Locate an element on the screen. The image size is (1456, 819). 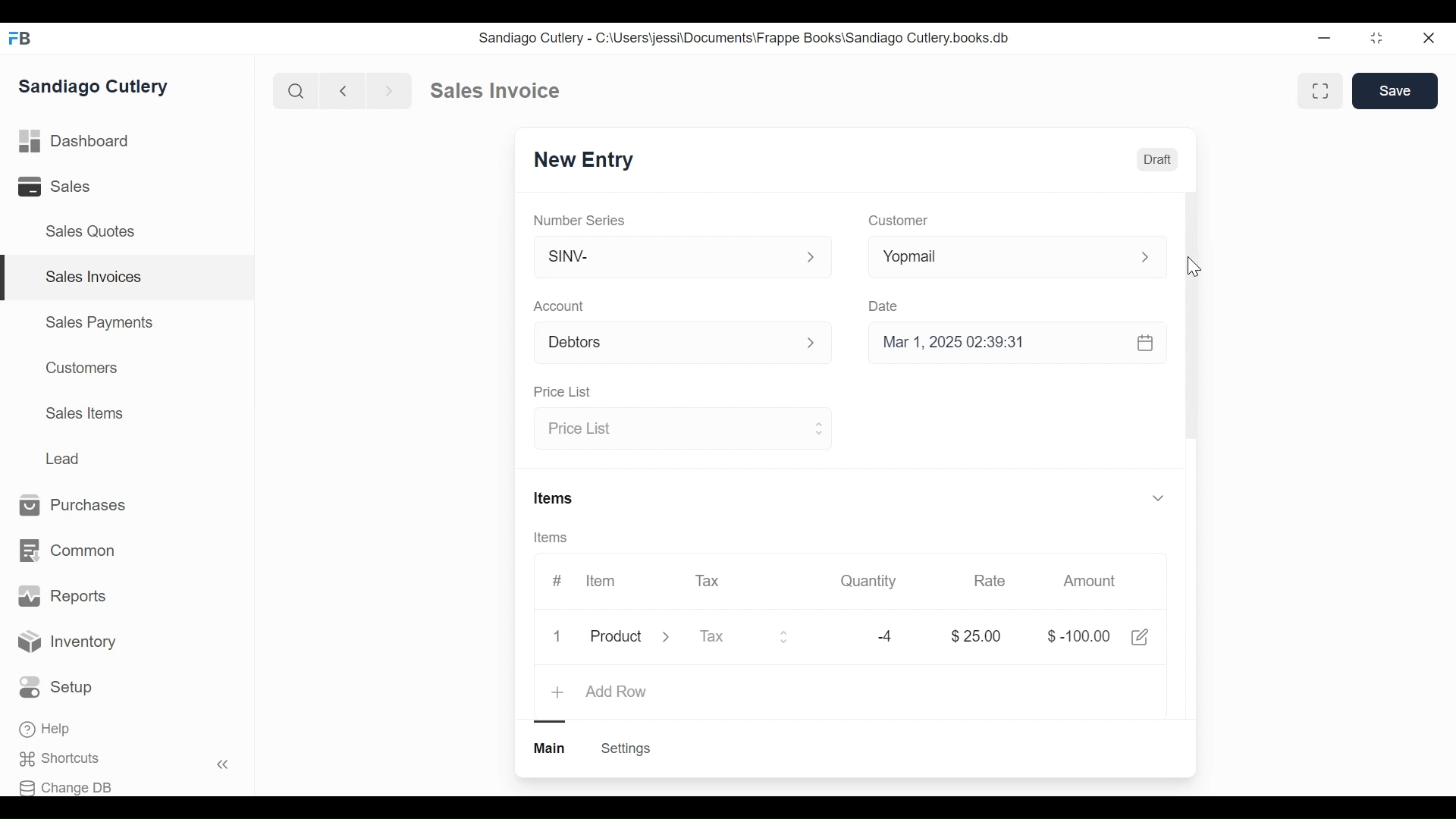
Search is located at coordinates (296, 89).